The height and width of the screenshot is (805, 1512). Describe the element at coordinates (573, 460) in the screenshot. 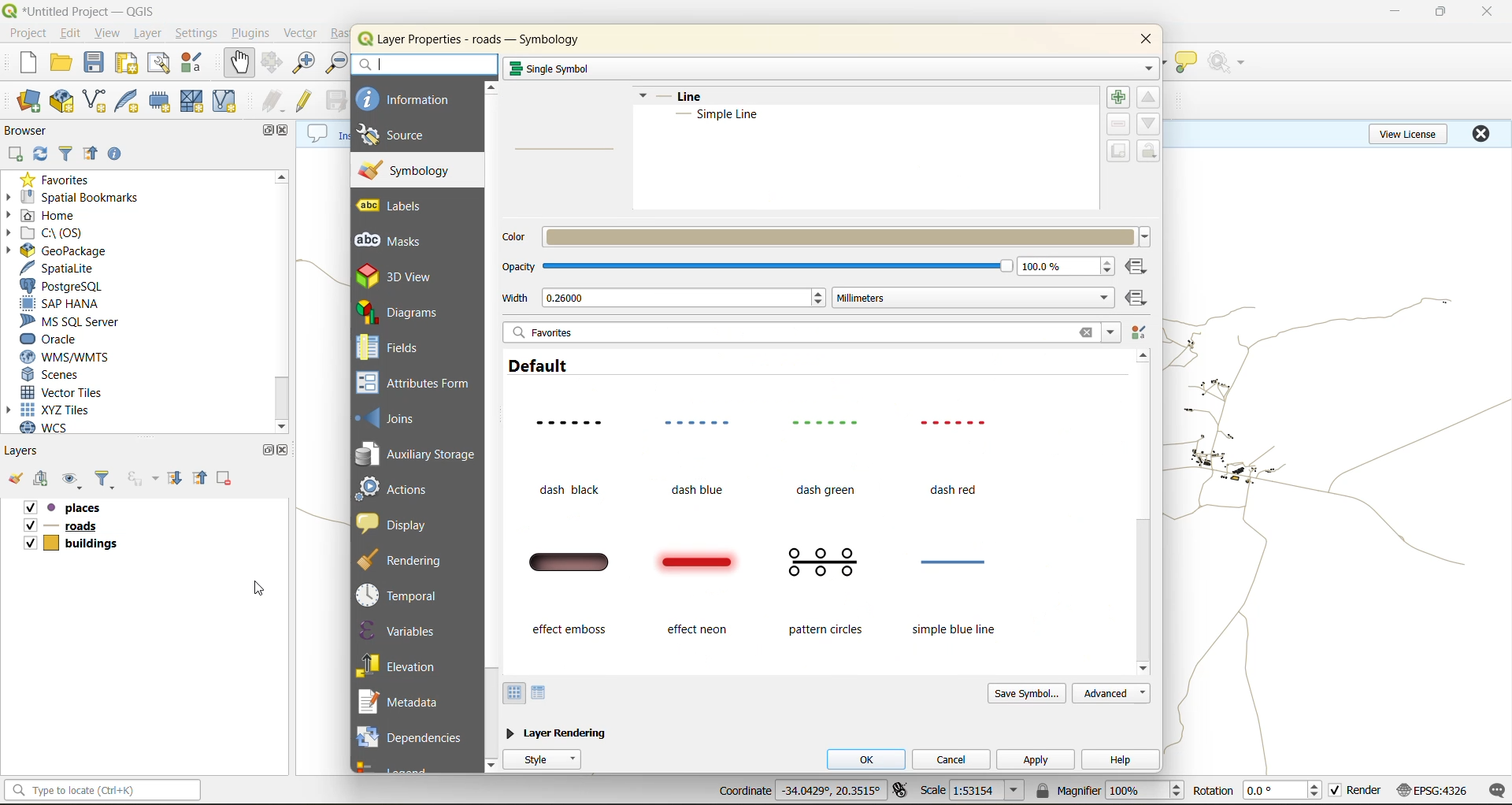

I see `dash black` at that location.